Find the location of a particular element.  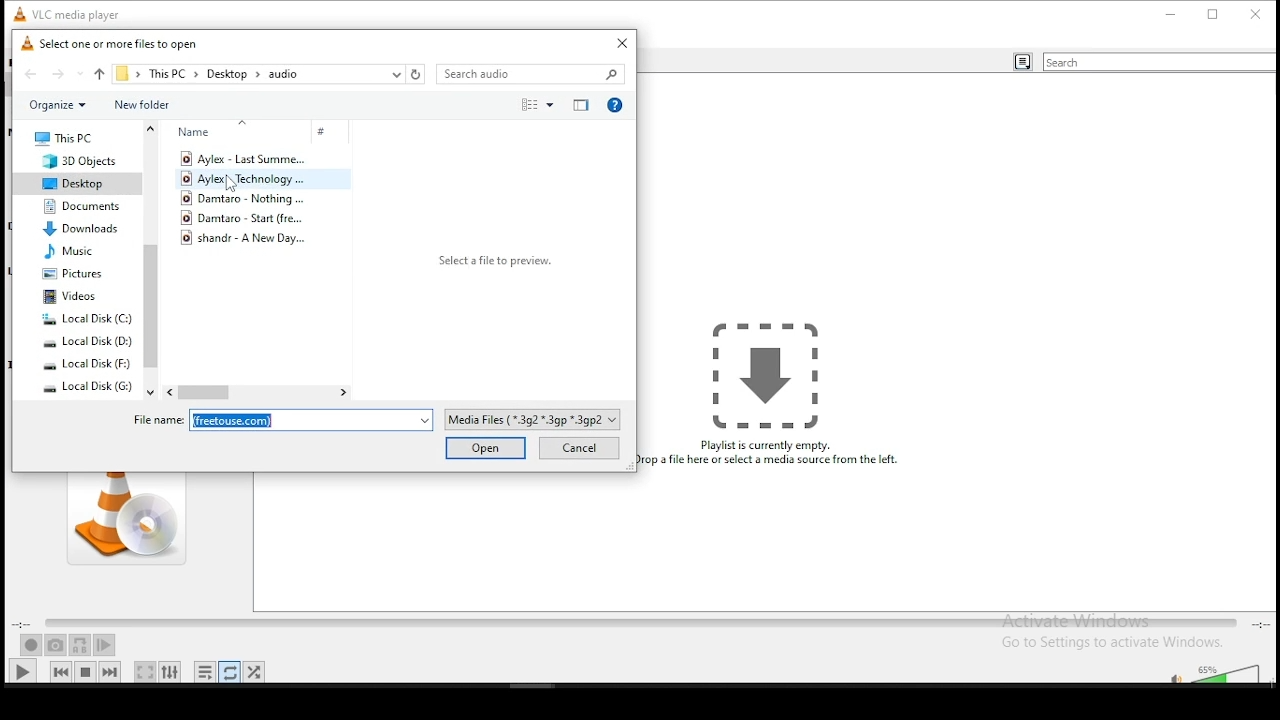

stop is located at coordinates (86, 670).